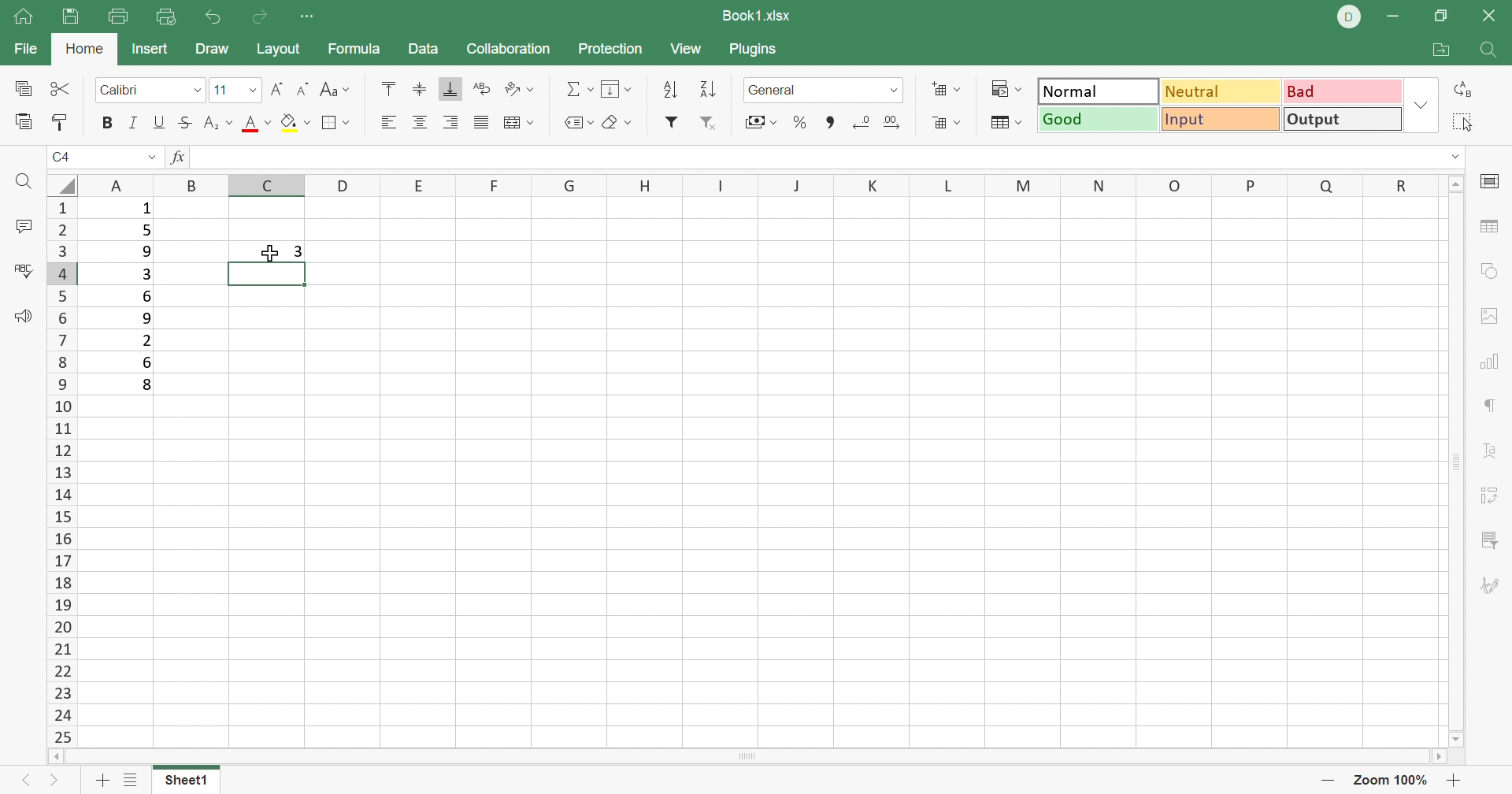 Image resolution: width=1512 pixels, height=794 pixels. I want to click on Zoom in, so click(1453, 780).